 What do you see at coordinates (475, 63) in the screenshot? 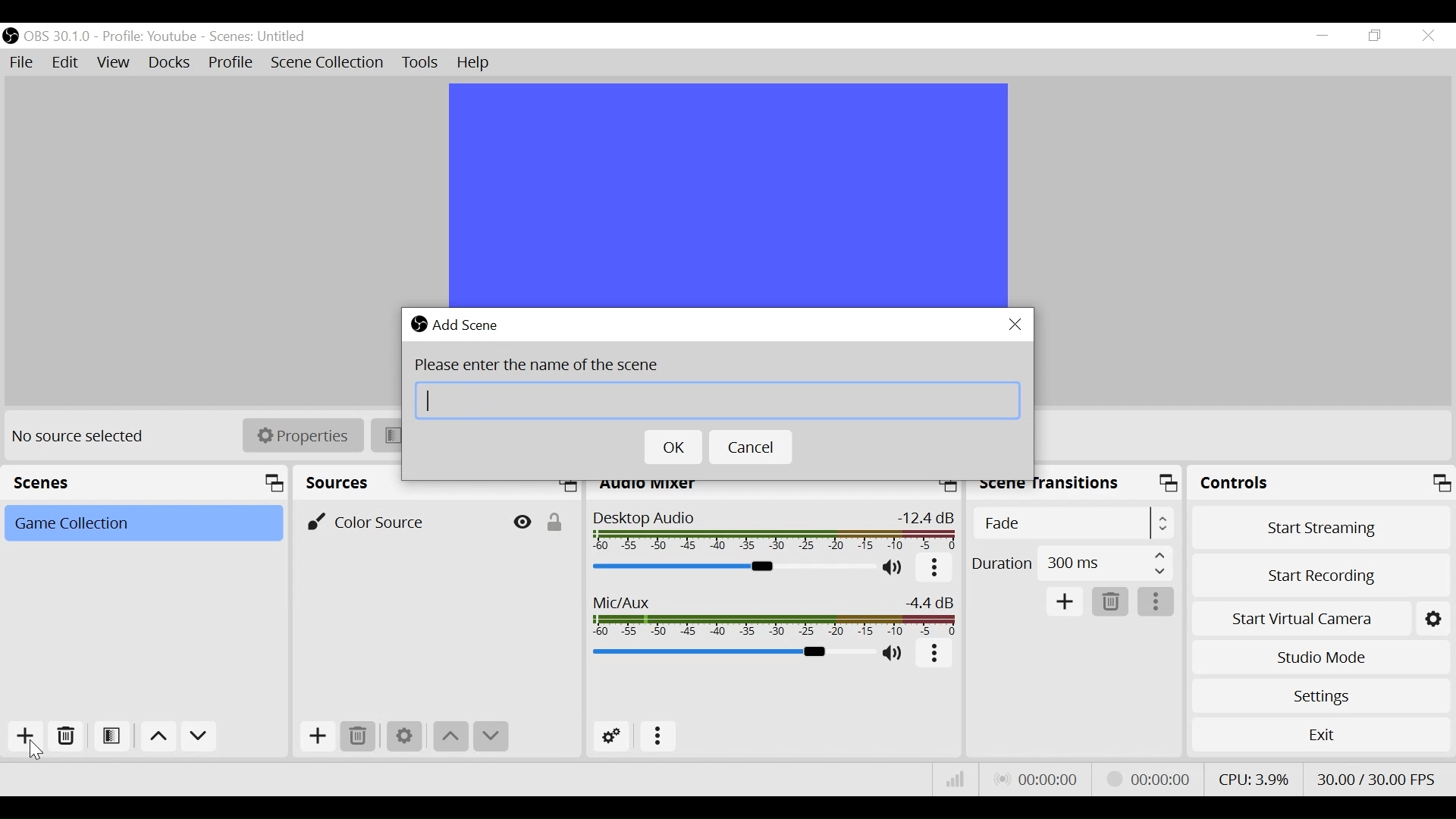
I see `Help` at bounding box center [475, 63].